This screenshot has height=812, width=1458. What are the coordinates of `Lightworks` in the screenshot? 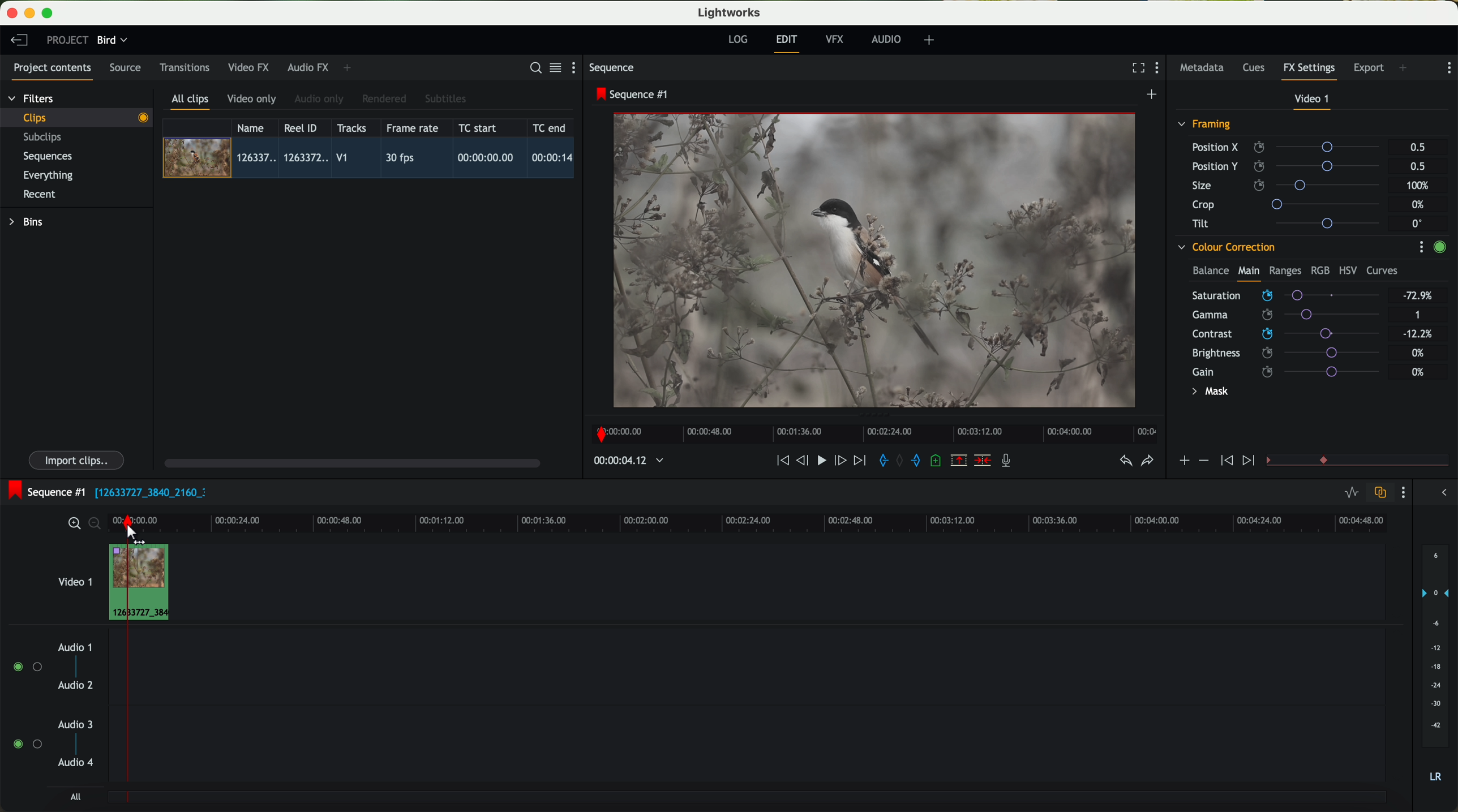 It's located at (730, 12).